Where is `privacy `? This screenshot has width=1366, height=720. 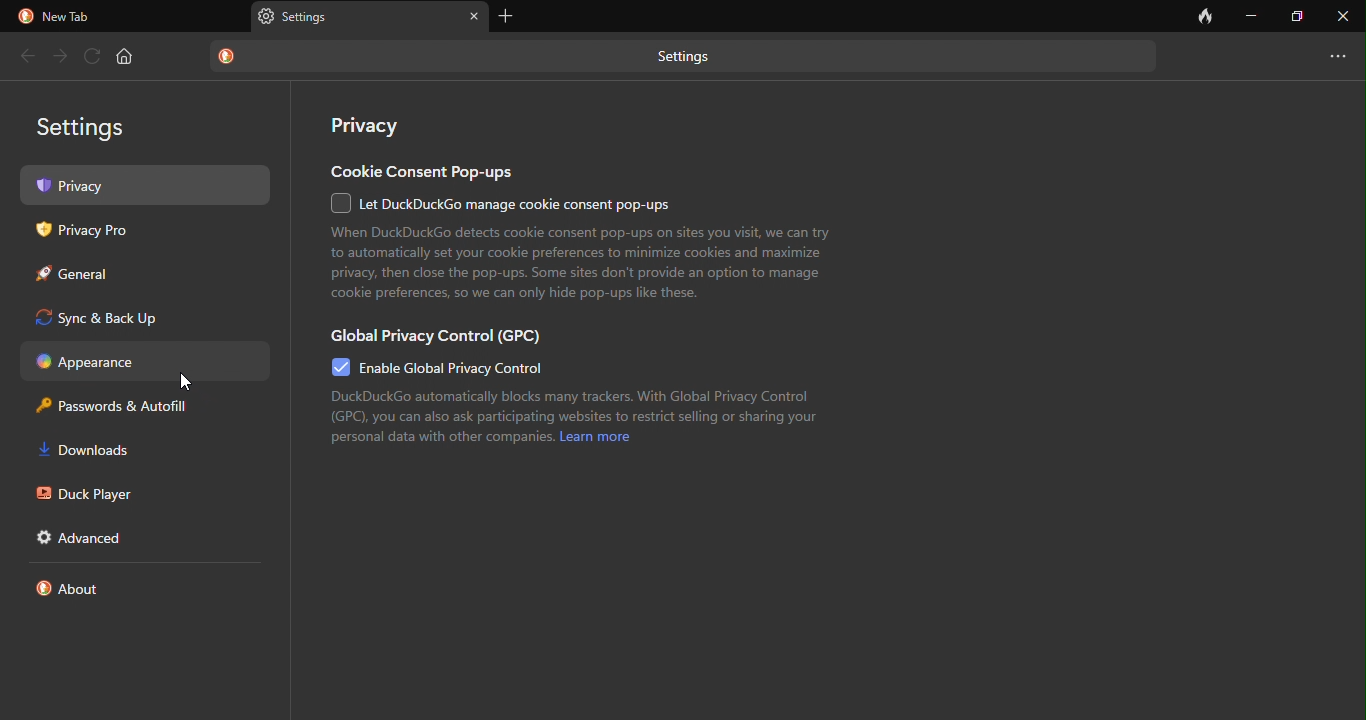
privacy  is located at coordinates (149, 185).